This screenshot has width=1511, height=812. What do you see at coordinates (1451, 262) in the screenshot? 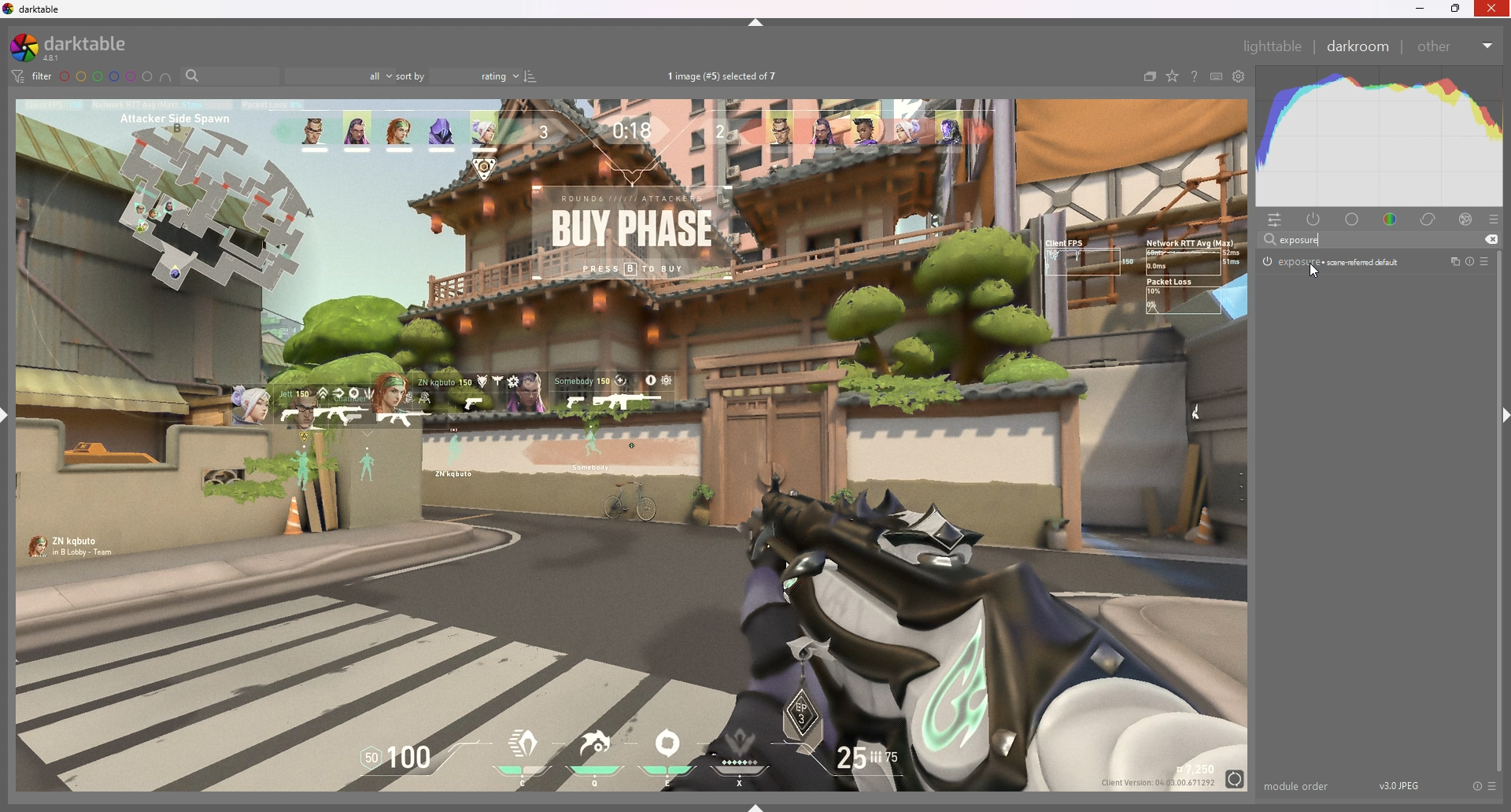
I see `multiple instances action` at bounding box center [1451, 262].